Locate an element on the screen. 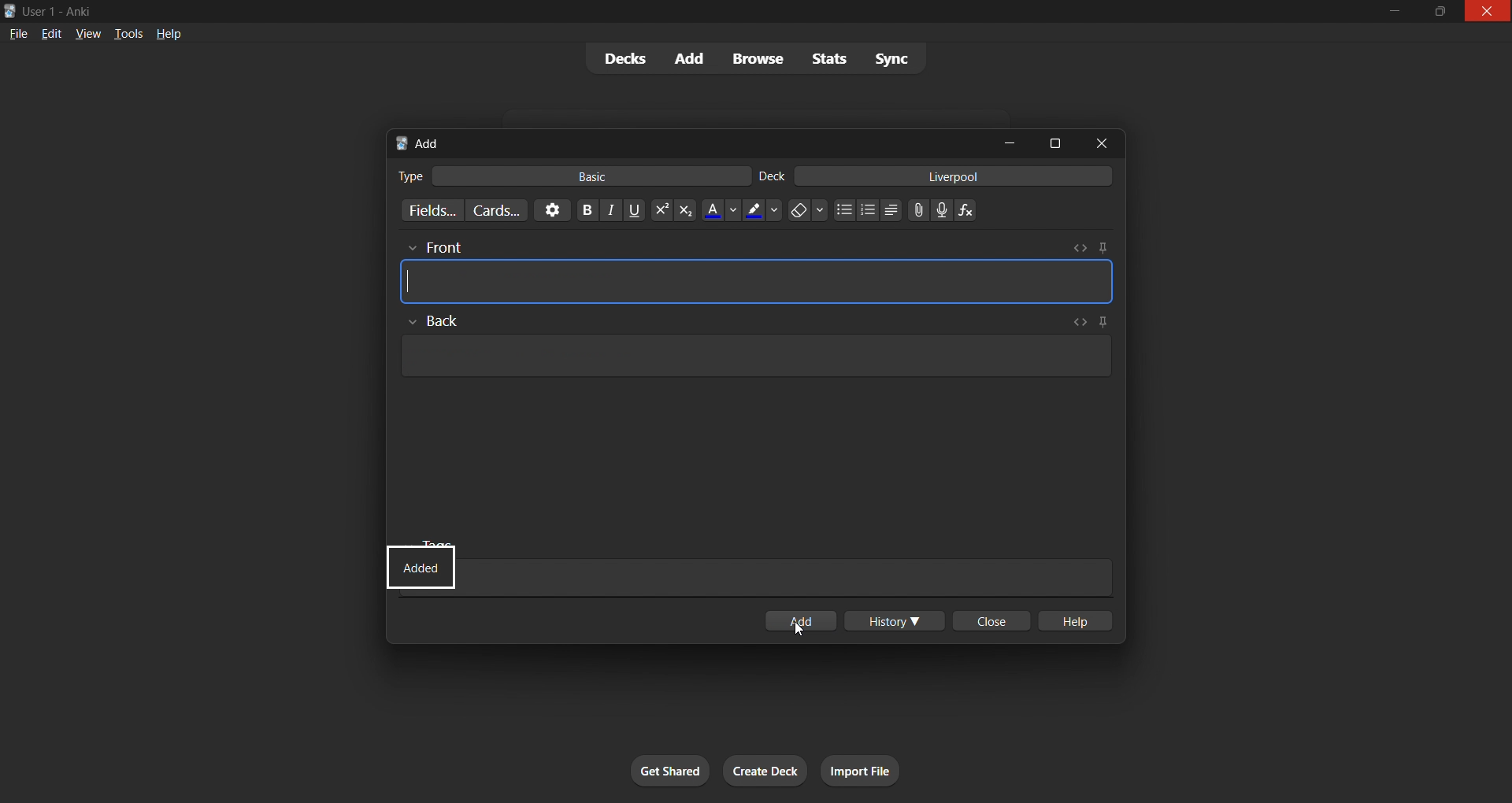 The image size is (1512, 803). get shared is located at coordinates (654, 766).